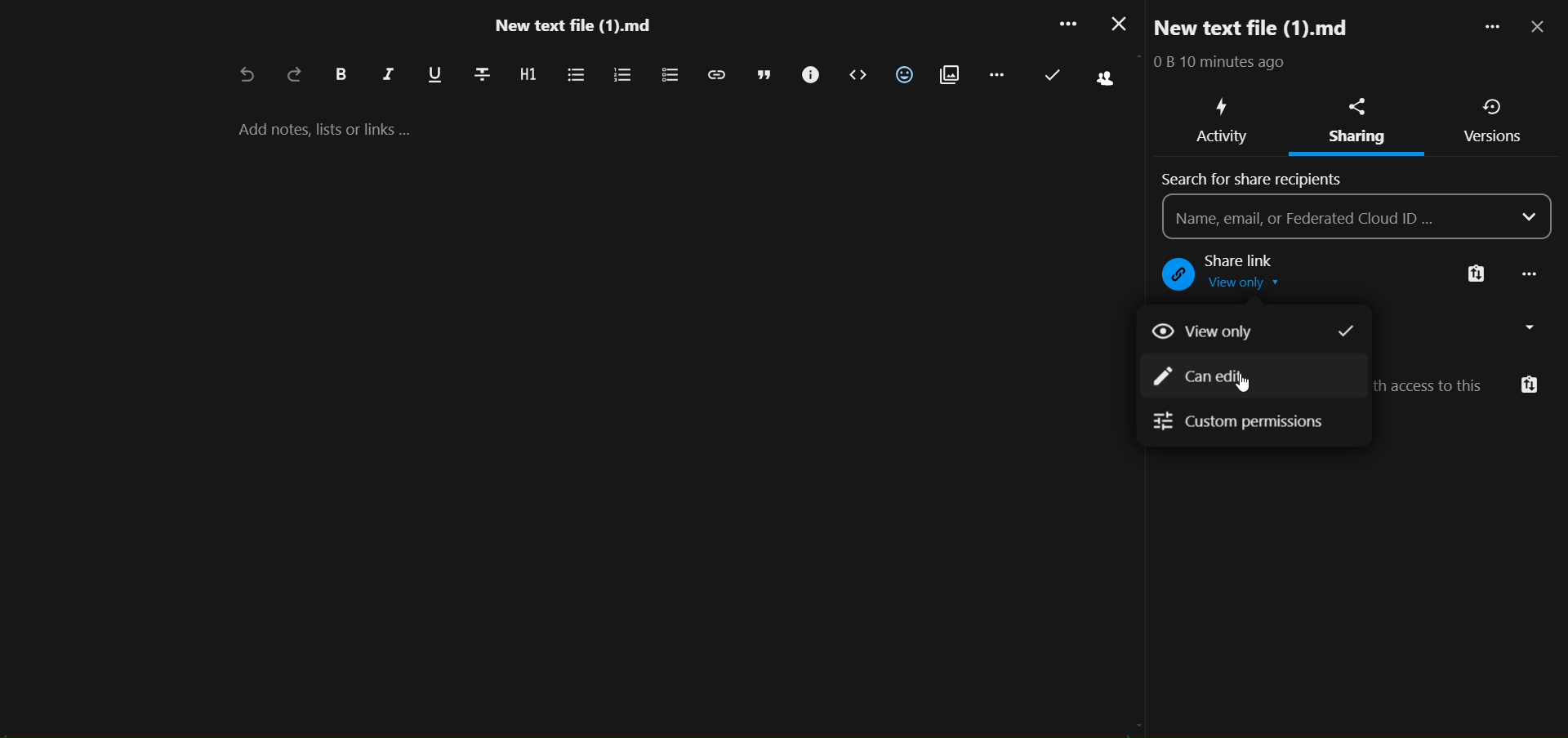 Image resolution: width=1568 pixels, height=738 pixels. What do you see at coordinates (904, 74) in the screenshot?
I see `insert emoji` at bounding box center [904, 74].